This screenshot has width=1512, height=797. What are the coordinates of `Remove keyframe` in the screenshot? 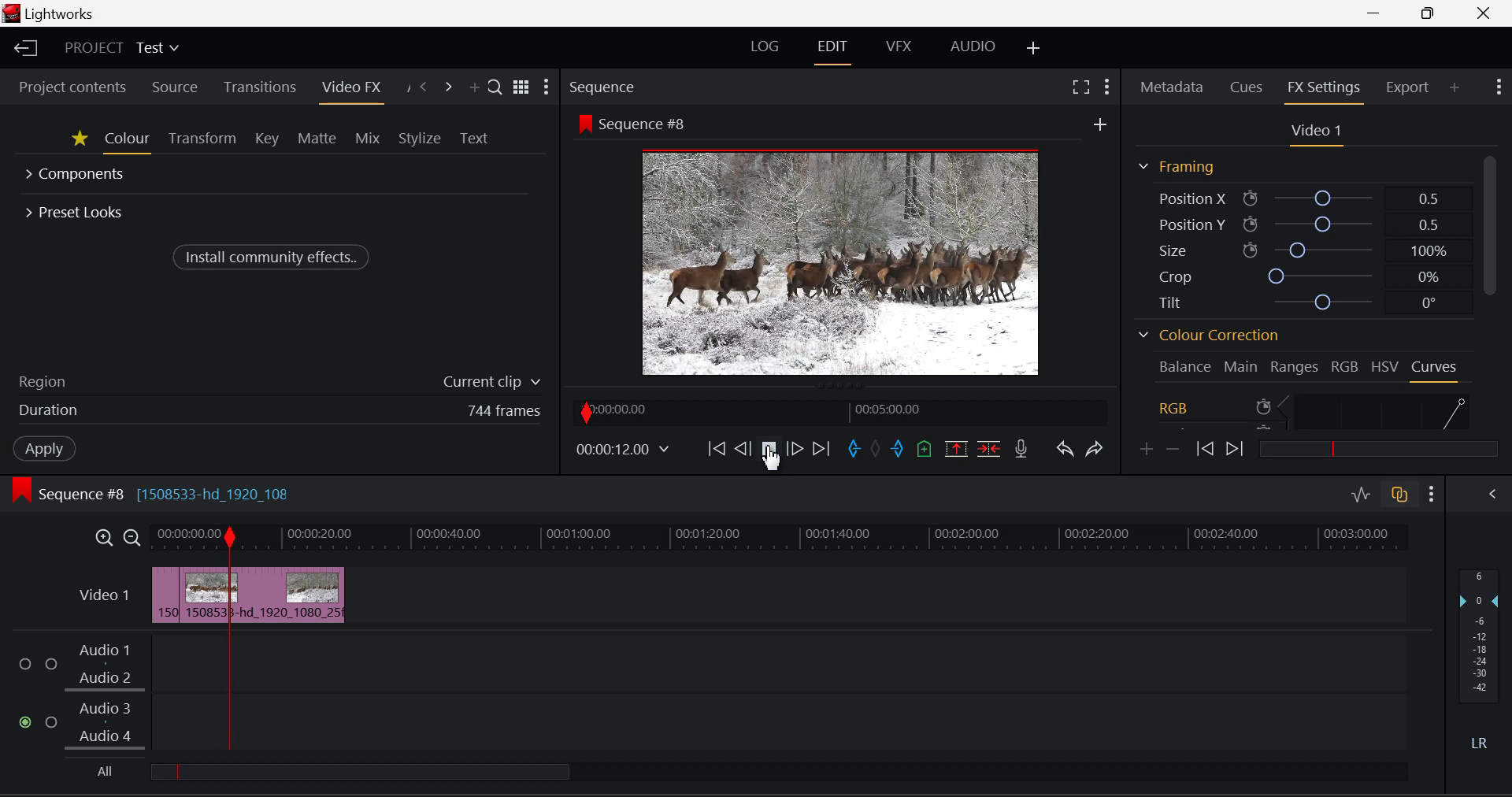 It's located at (1173, 450).